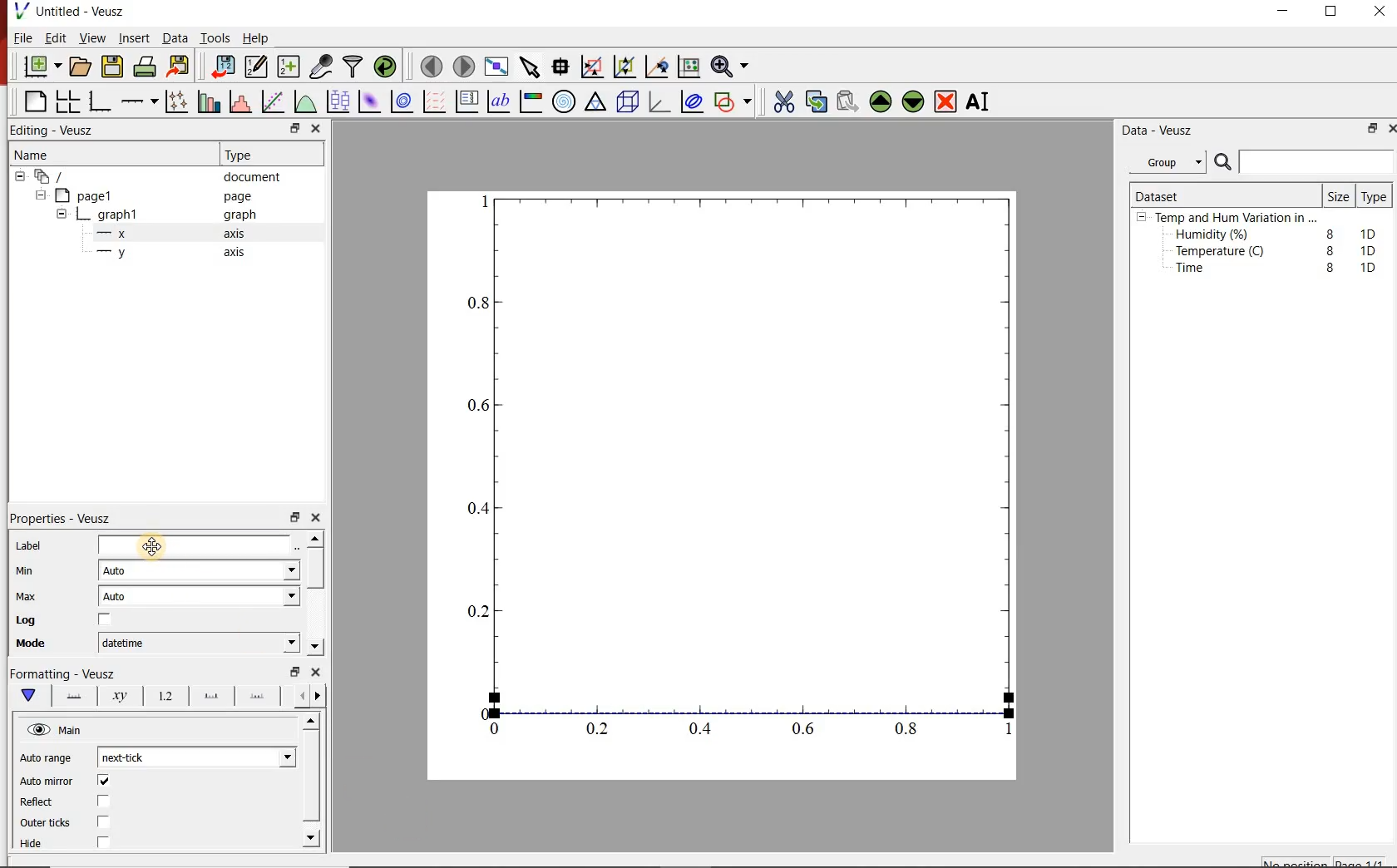 The height and width of the screenshot is (868, 1397). Describe the element at coordinates (75, 697) in the screenshot. I see `axis line` at that location.